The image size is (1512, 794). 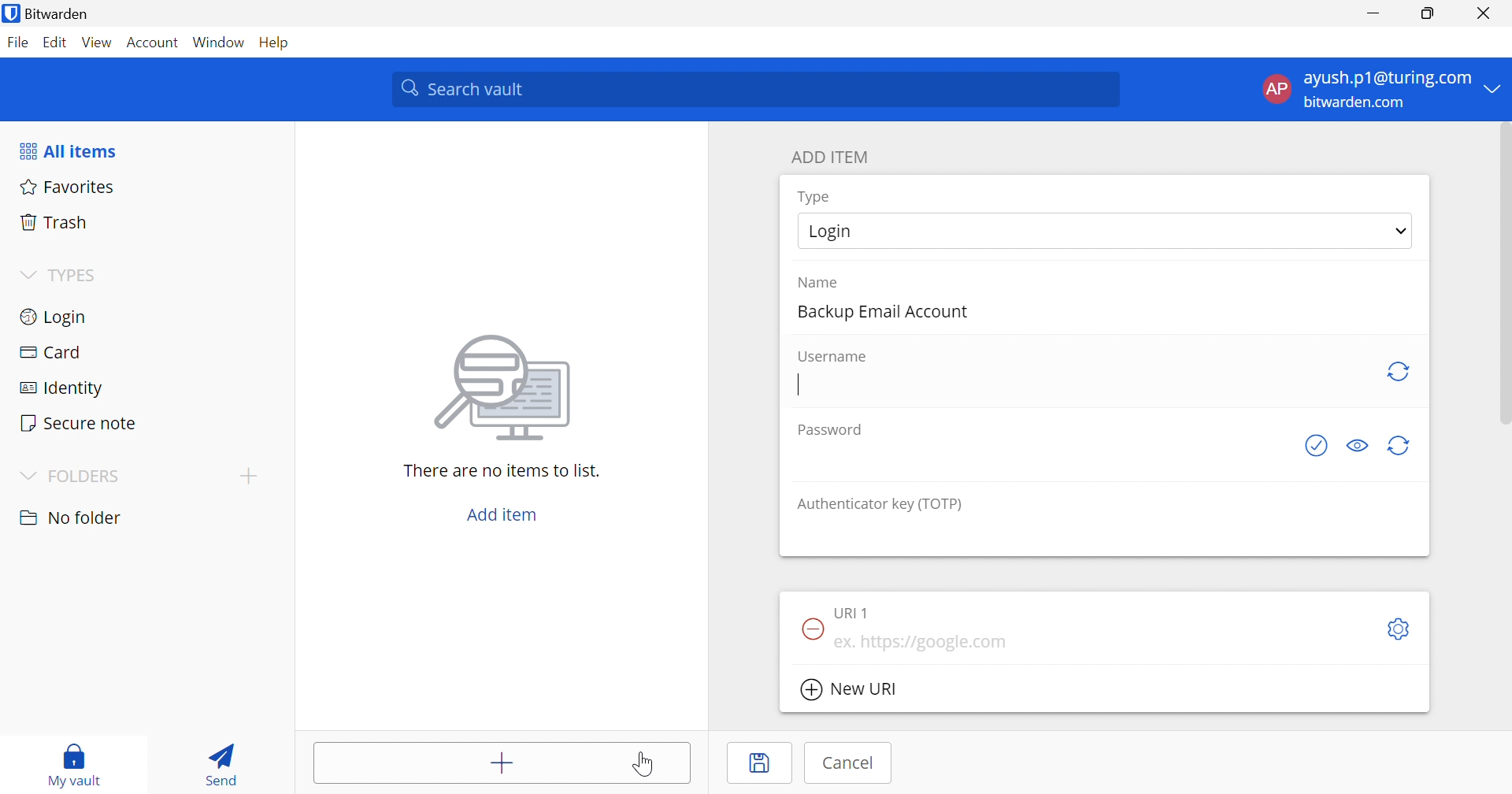 I want to click on Add item, so click(x=500, y=760).